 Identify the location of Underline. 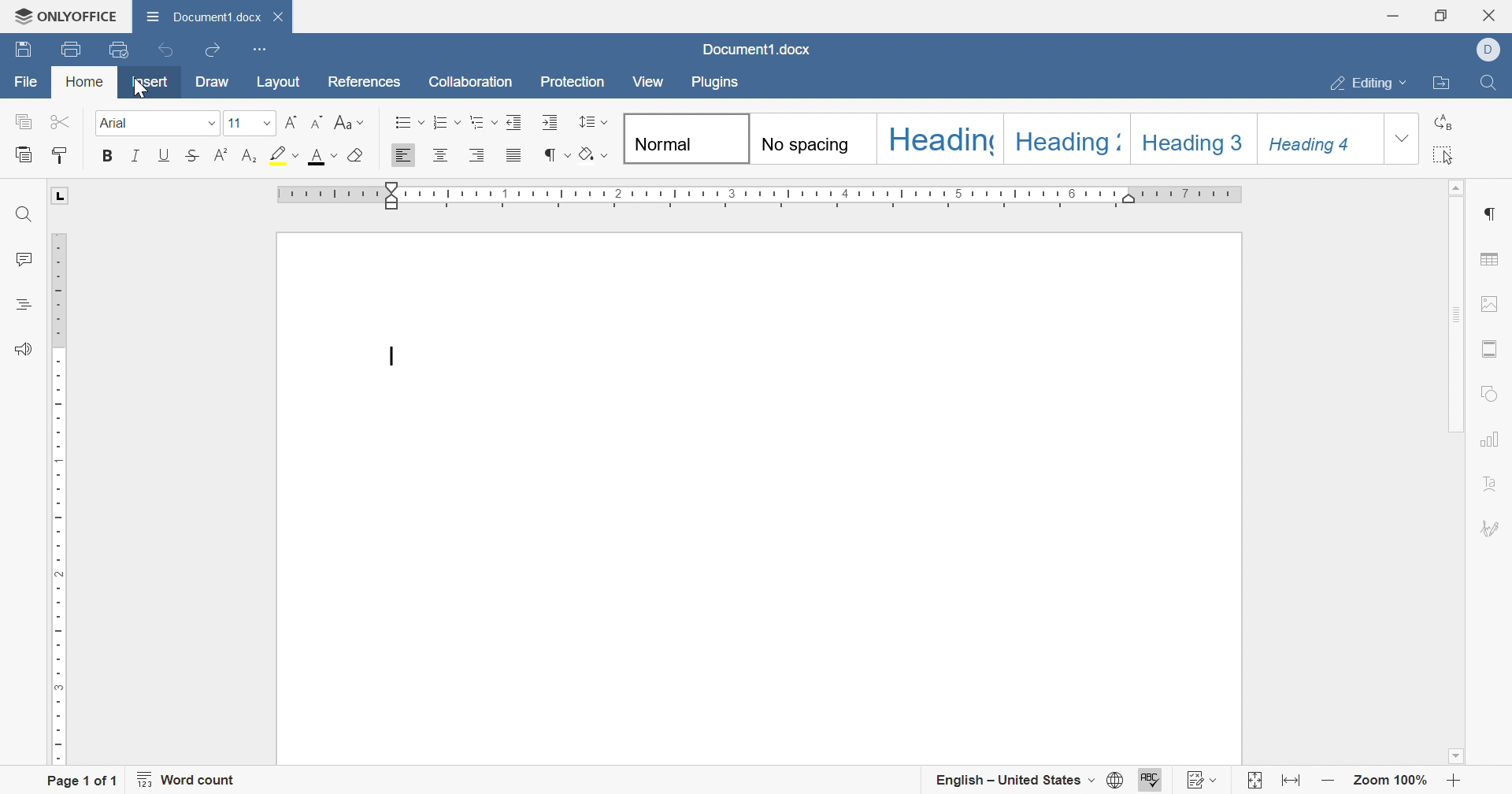
(163, 157).